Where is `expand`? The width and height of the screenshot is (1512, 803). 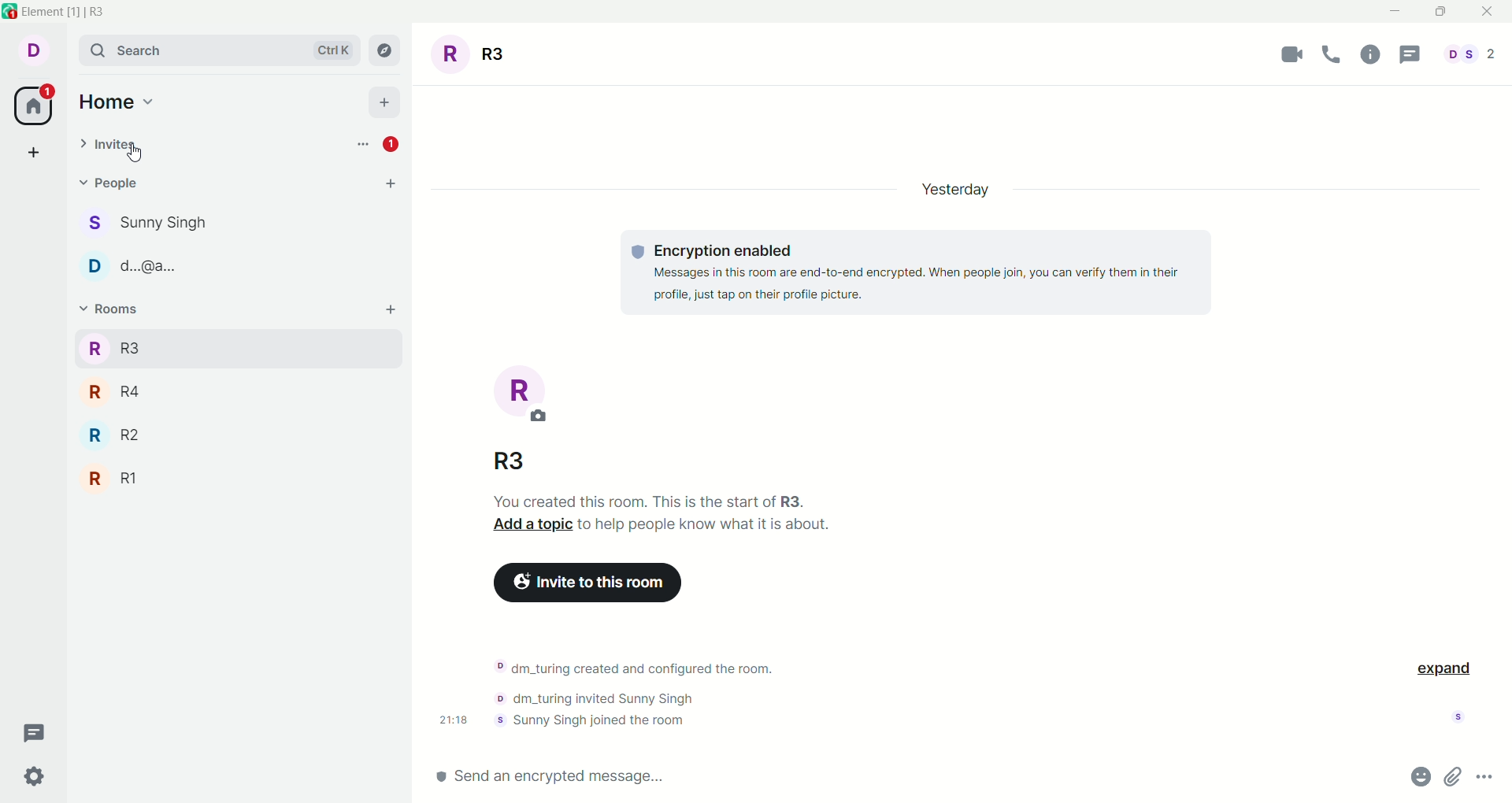
expand is located at coordinates (1449, 670).